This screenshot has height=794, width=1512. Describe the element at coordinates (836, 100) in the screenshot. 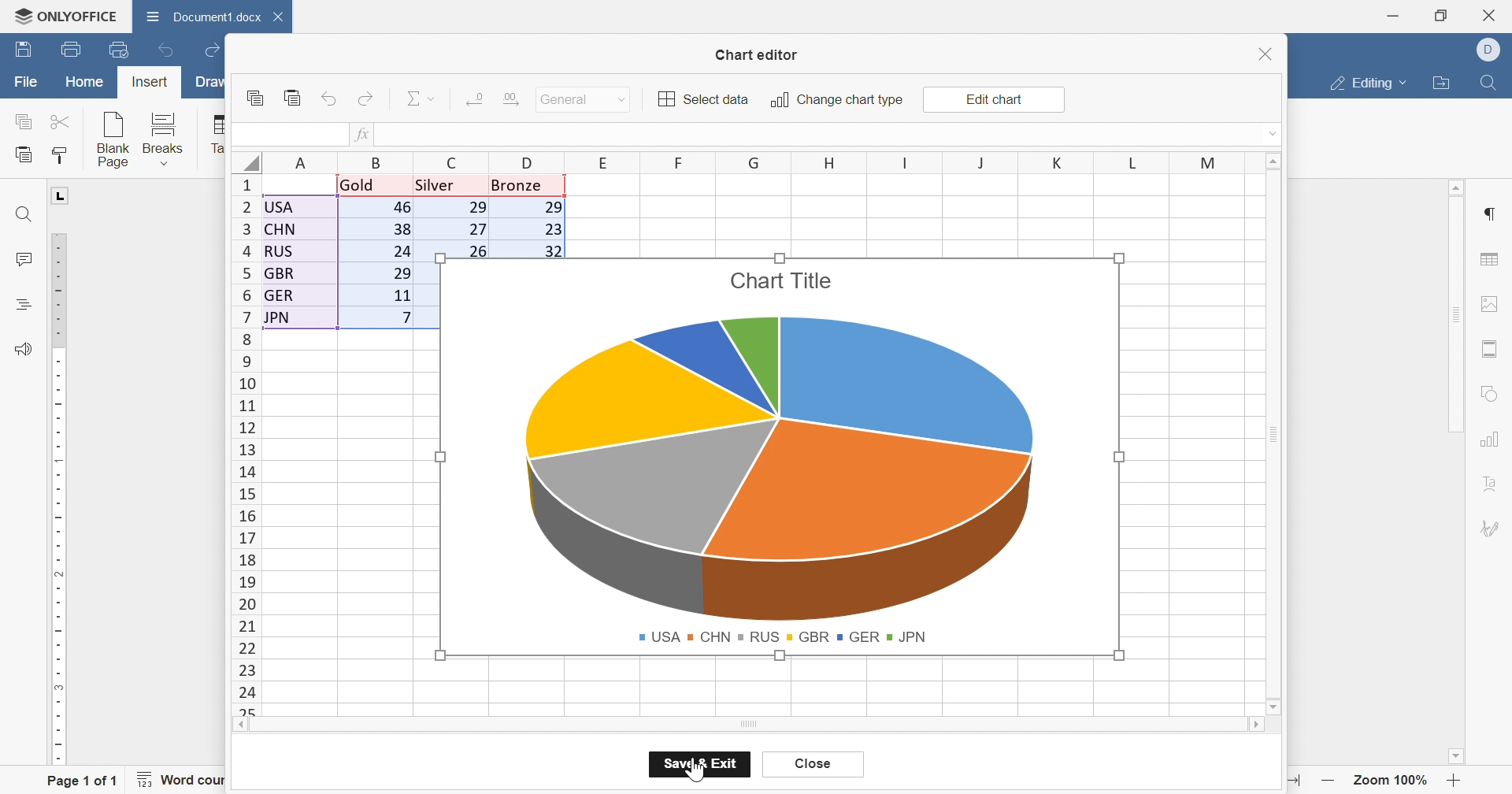

I see `Change chart type` at that location.